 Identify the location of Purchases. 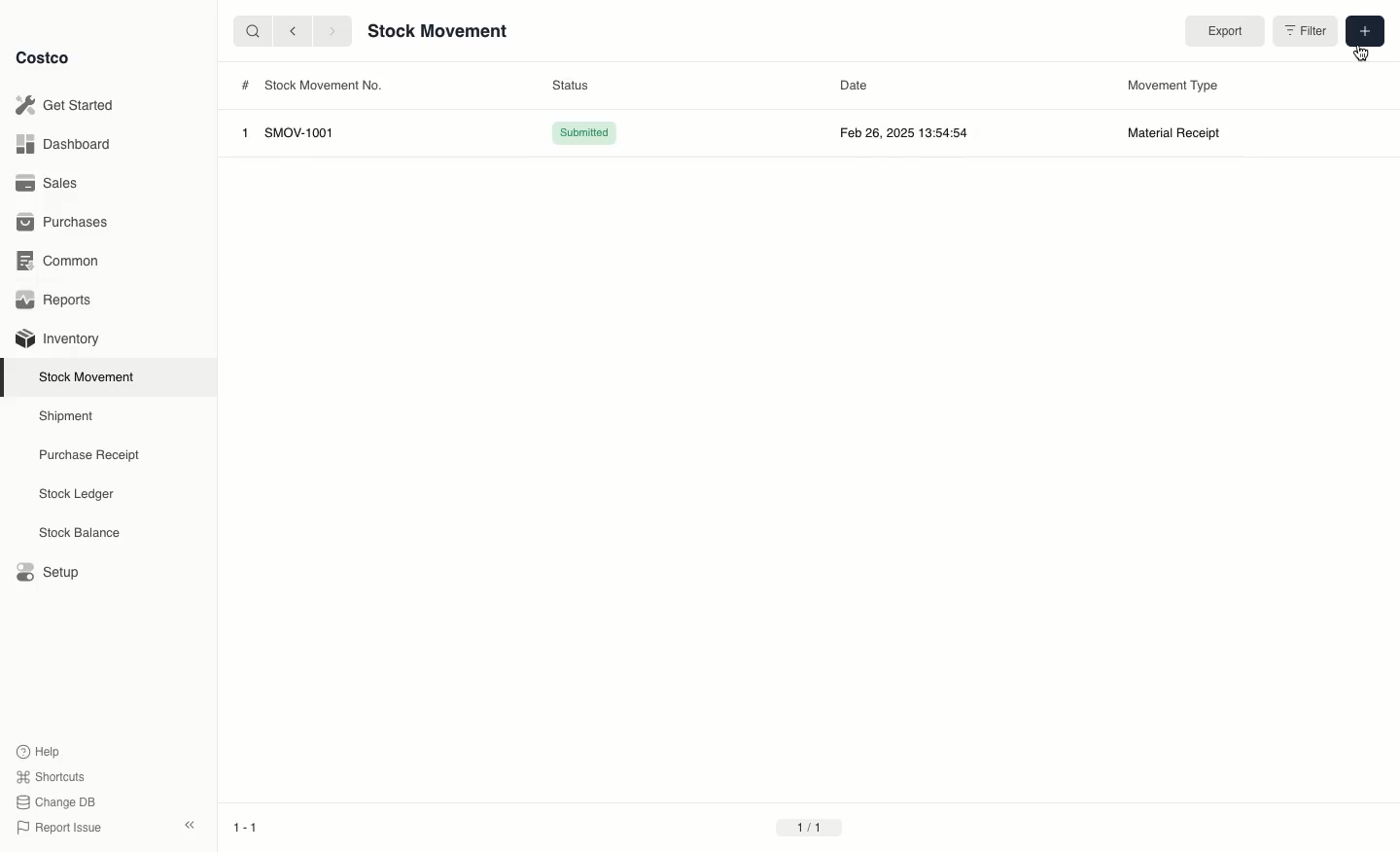
(66, 224).